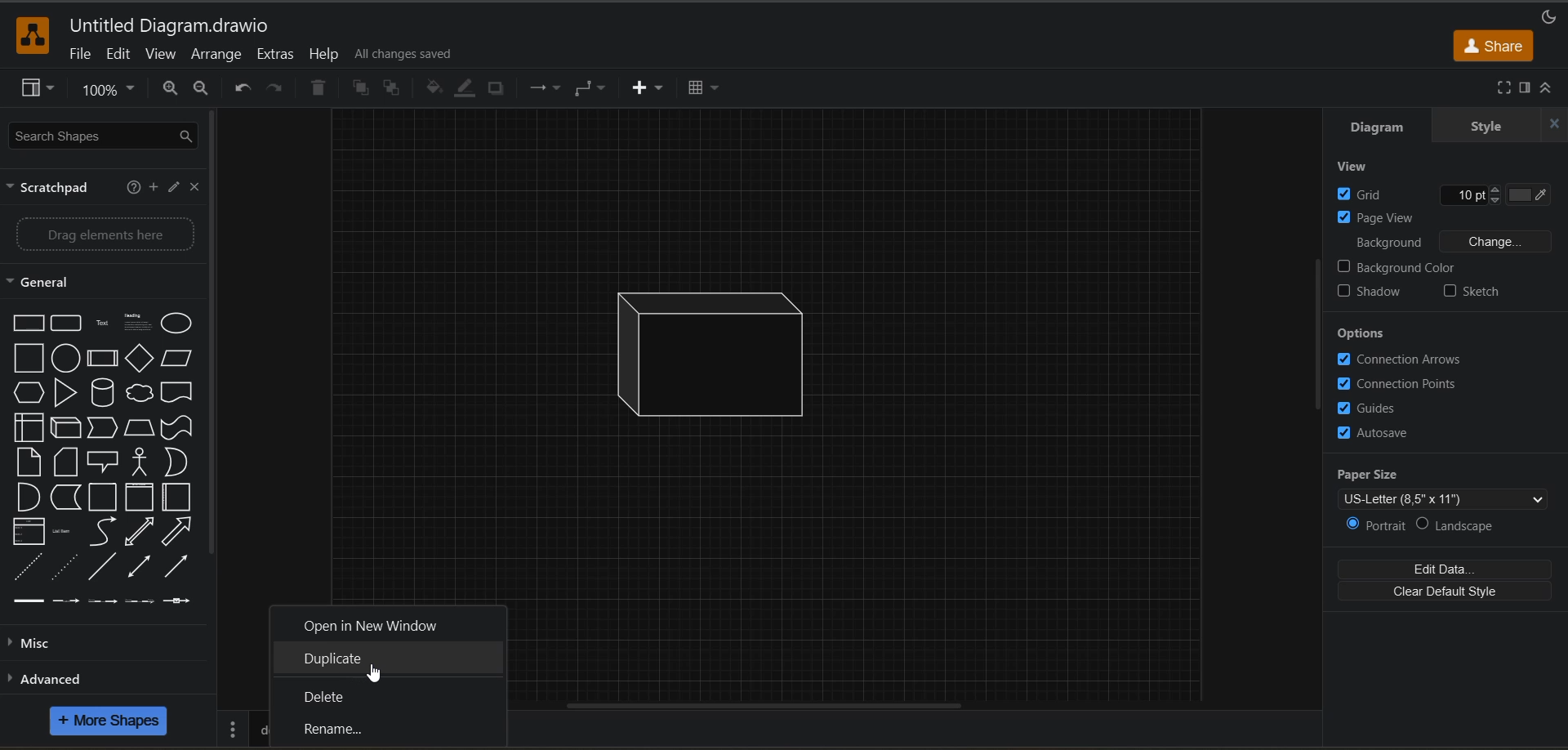  Describe the element at coordinates (278, 88) in the screenshot. I see `redo` at that location.